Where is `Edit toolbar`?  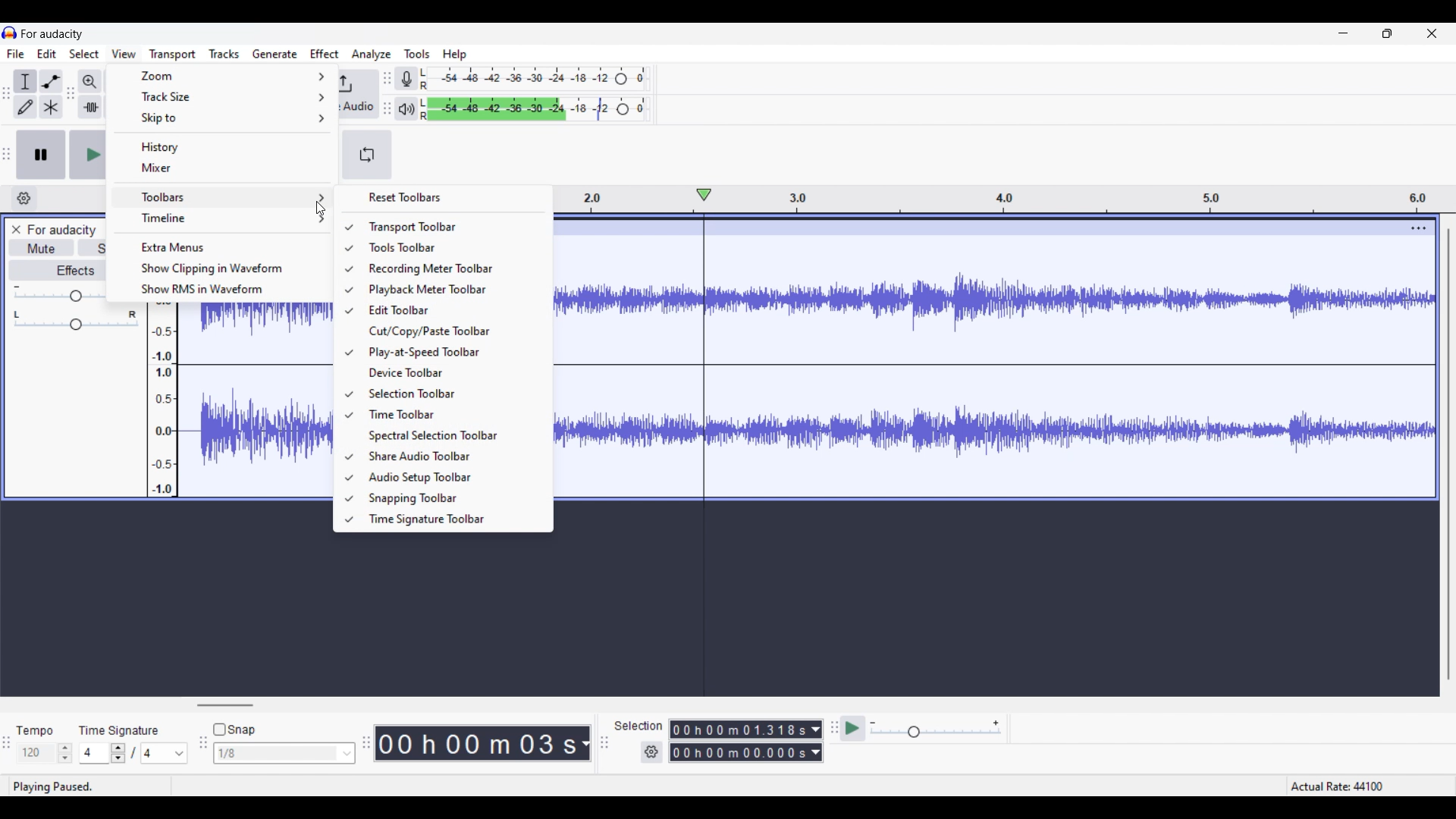
Edit toolbar is located at coordinates (449, 310).